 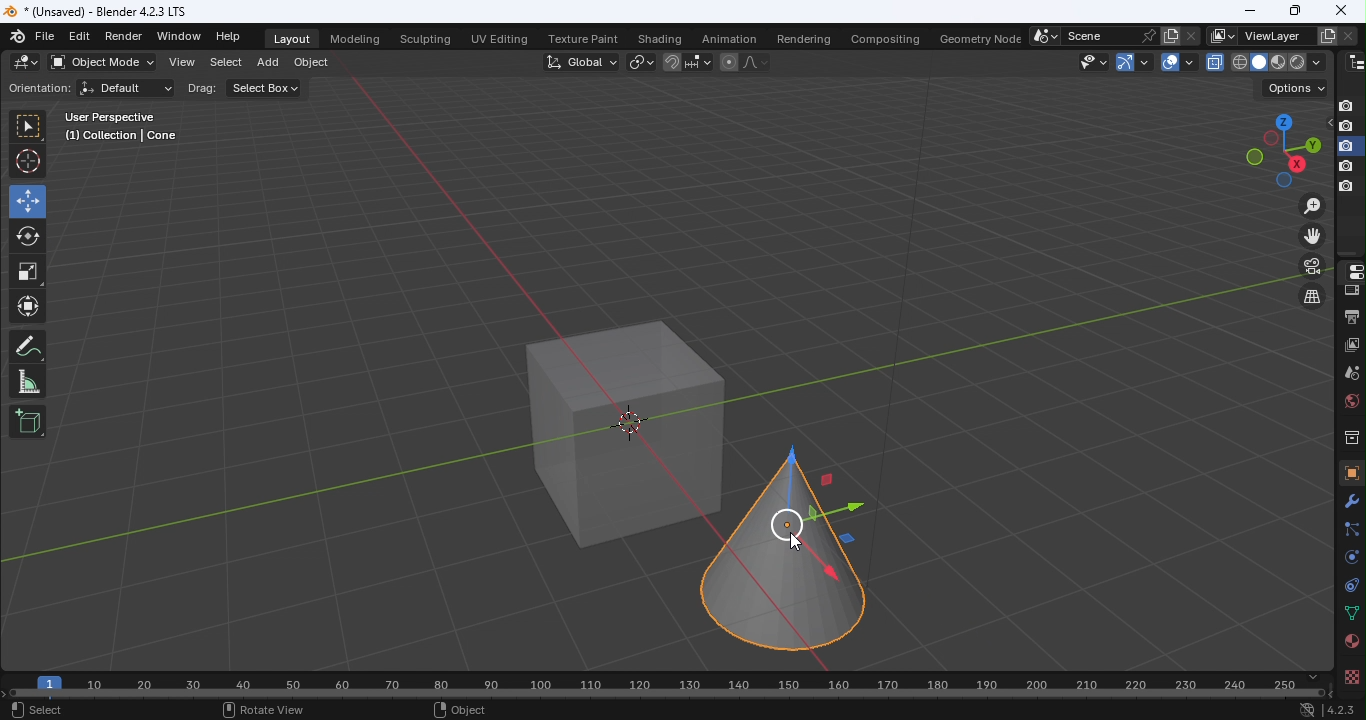 What do you see at coordinates (1295, 88) in the screenshot?
I see `Drop down menu` at bounding box center [1295, 88].